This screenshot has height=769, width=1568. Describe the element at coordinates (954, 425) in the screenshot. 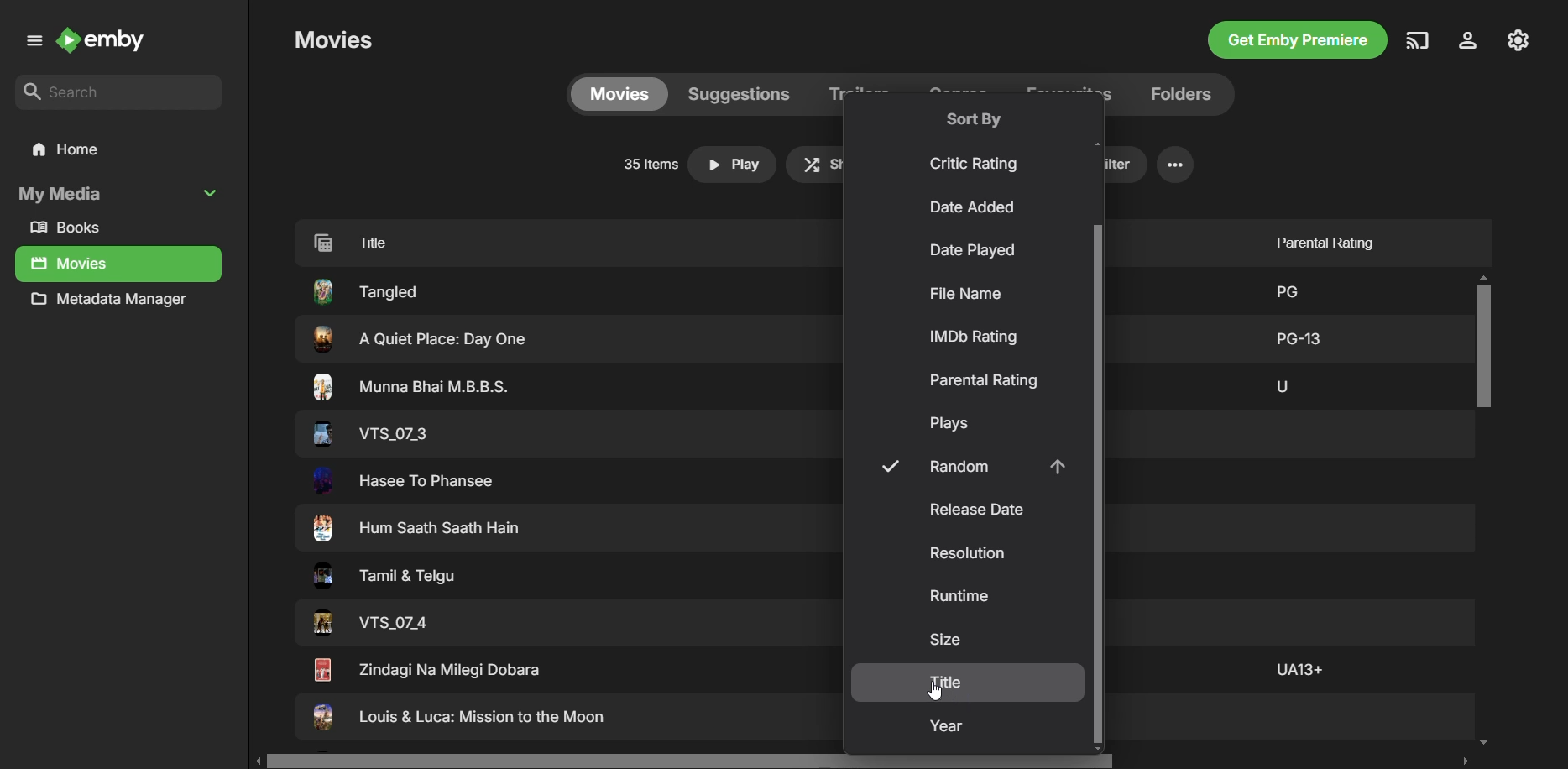

I see `Plays` at that location.